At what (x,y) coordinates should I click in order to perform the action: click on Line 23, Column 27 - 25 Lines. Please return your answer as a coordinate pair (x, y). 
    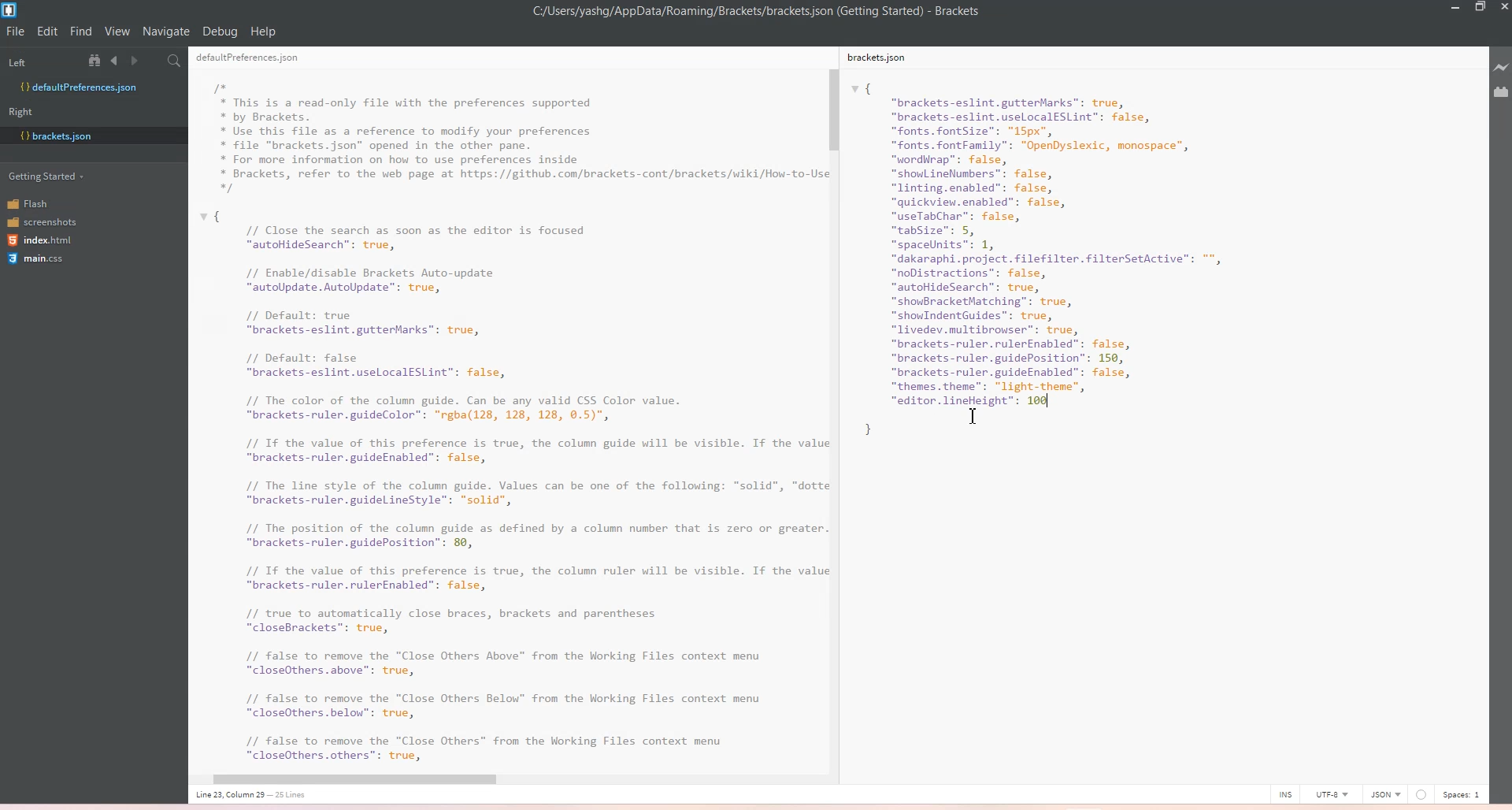
    Looking at the image, I should click on (283, 797).